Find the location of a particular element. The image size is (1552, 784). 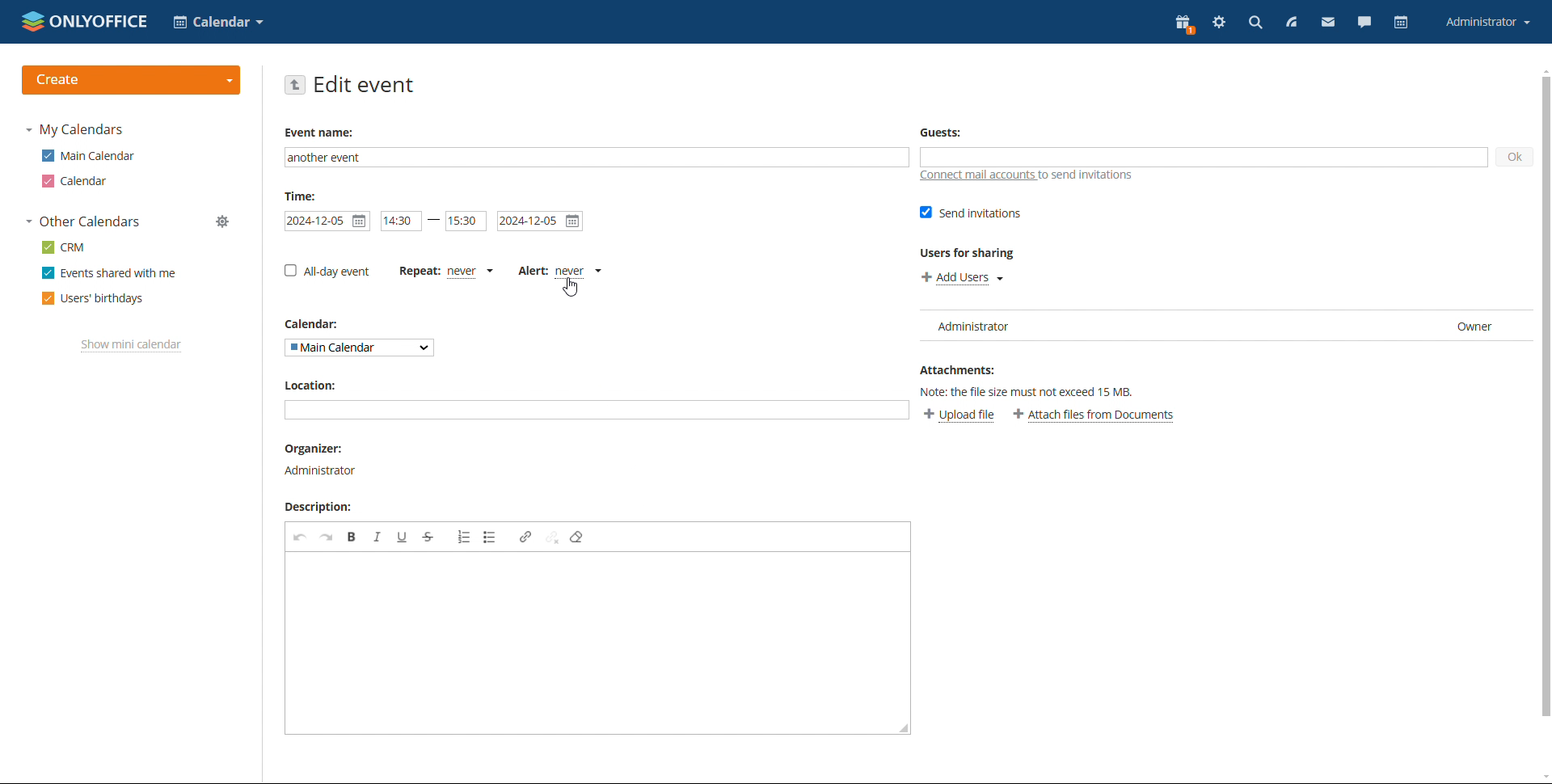

edit event is located at coordinates (365, 84).